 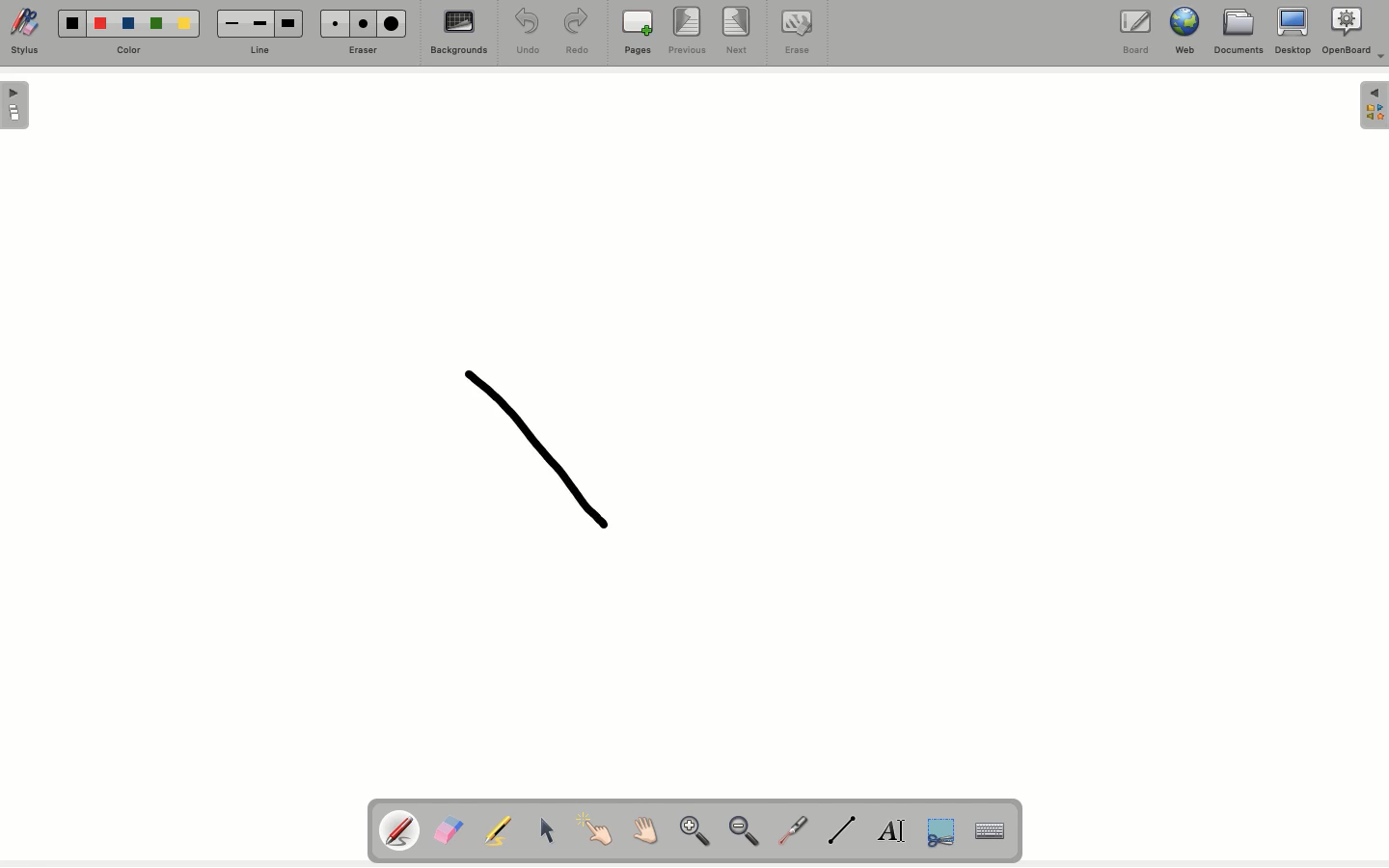 I want to click on Pen, so click(x=401, y=829).